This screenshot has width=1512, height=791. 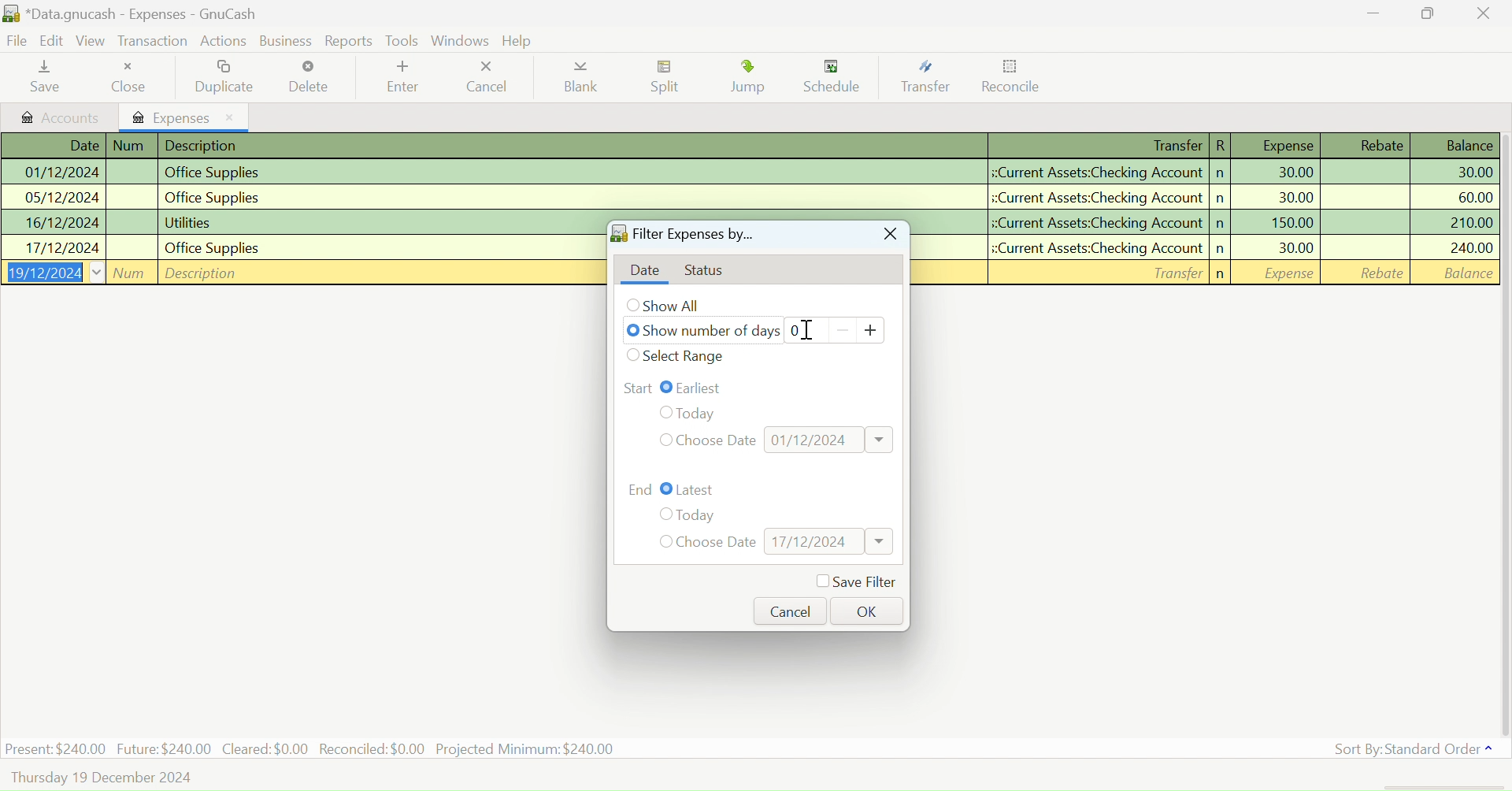 I want to click on Expenses, so click(x=186, y=117).